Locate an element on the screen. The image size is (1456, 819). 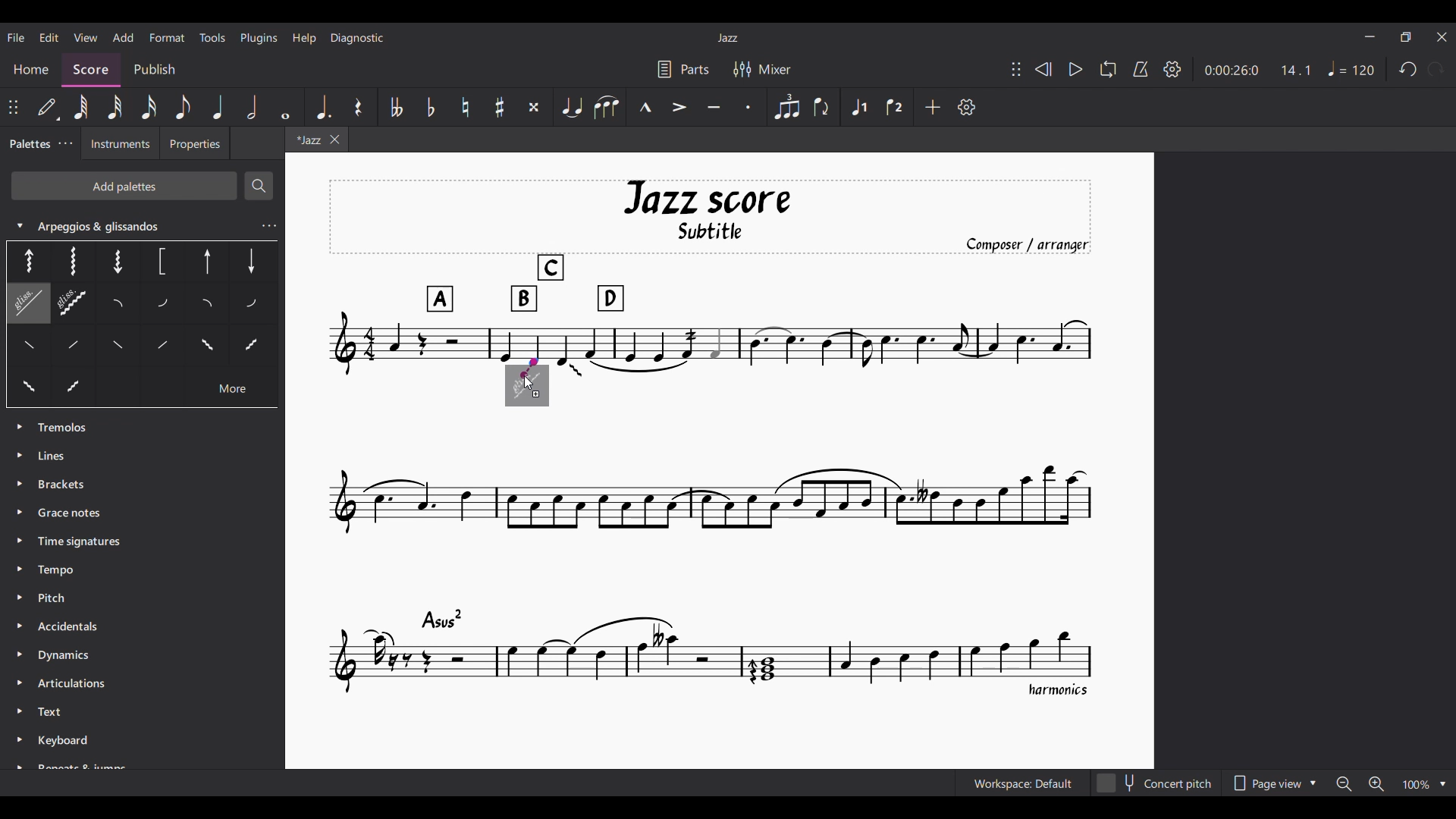
Palette settings is located at coordinates (65, 143).